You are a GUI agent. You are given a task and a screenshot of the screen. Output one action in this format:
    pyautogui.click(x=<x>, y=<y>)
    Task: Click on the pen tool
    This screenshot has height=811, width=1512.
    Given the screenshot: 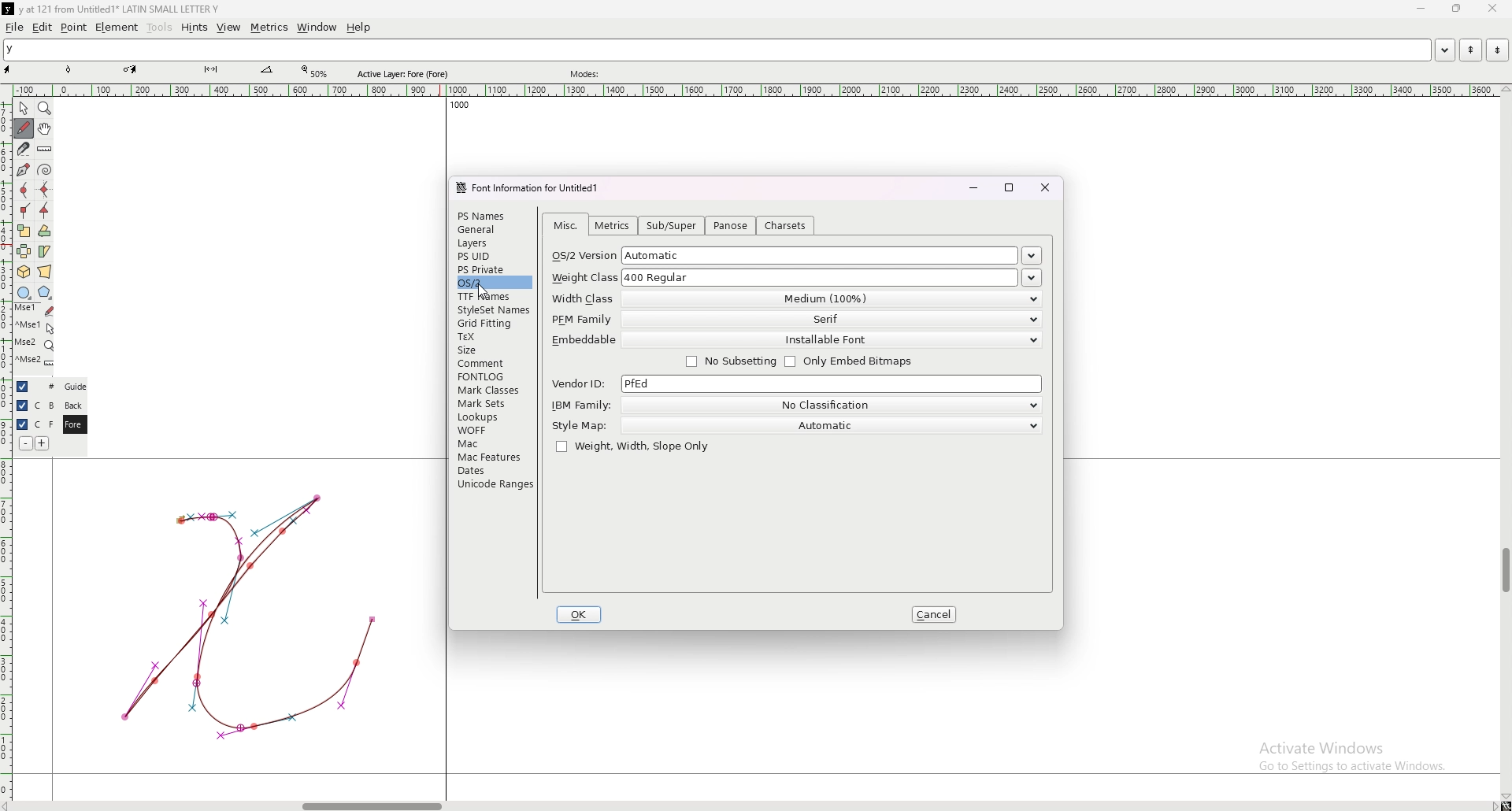 What is the action you would take?
    pyautogui.click(x=130, y=69)
    